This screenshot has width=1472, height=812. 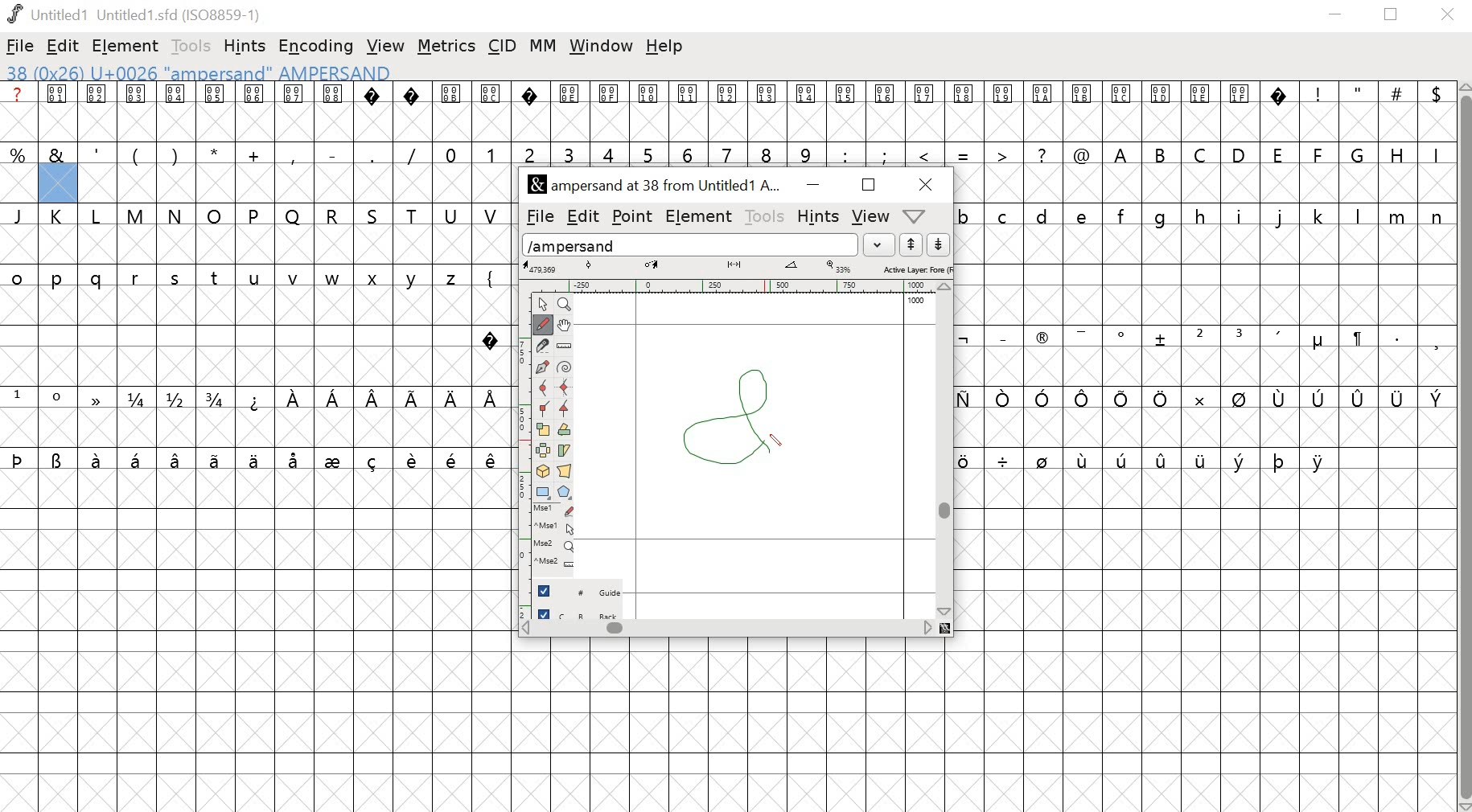 What do you see at coordinates (543, 267) in the screenshot?
I see `cursor coordinate` at bounding box center [543, 267].